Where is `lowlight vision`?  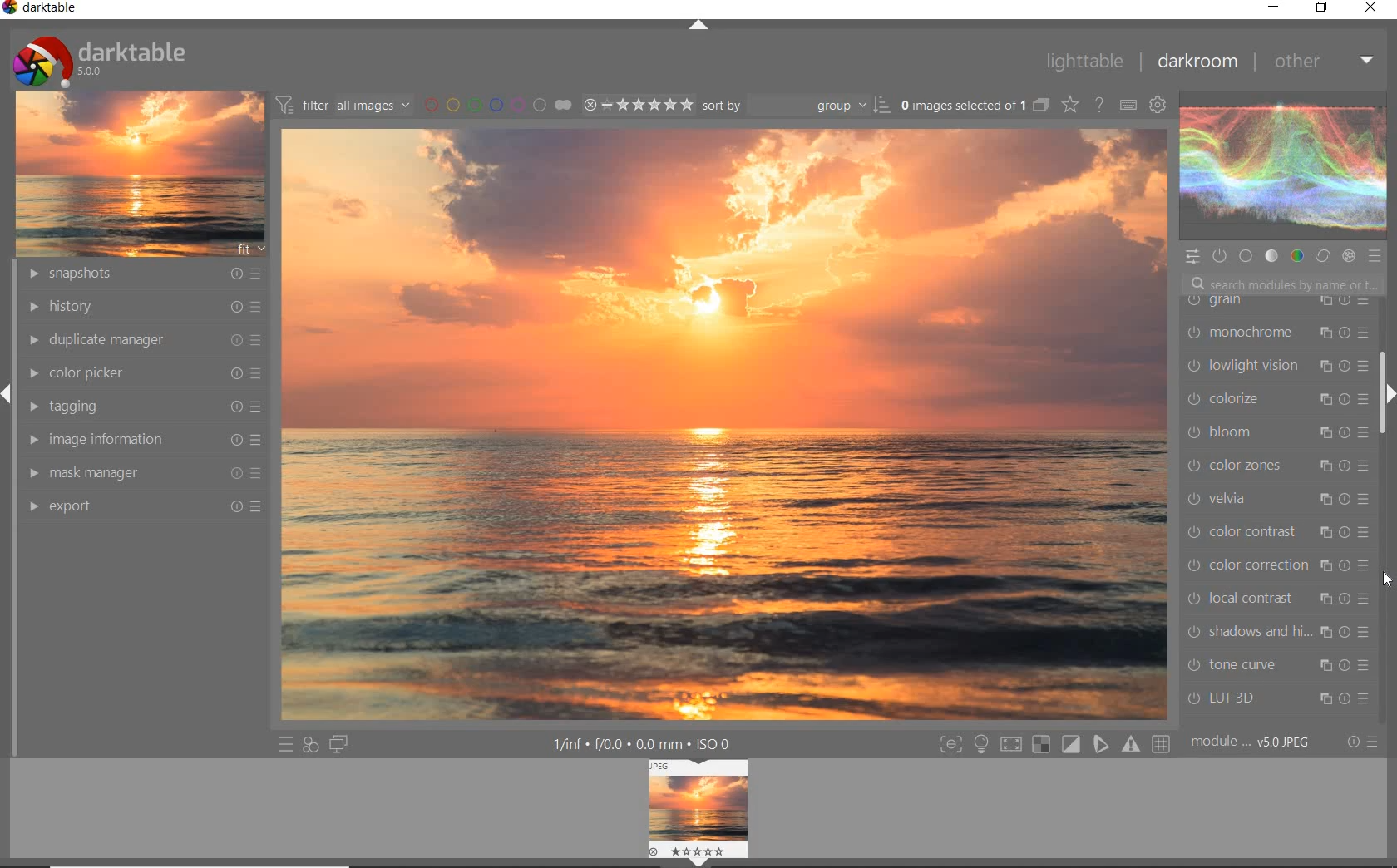 lowlight vision is located at coordinates (1276, 365).